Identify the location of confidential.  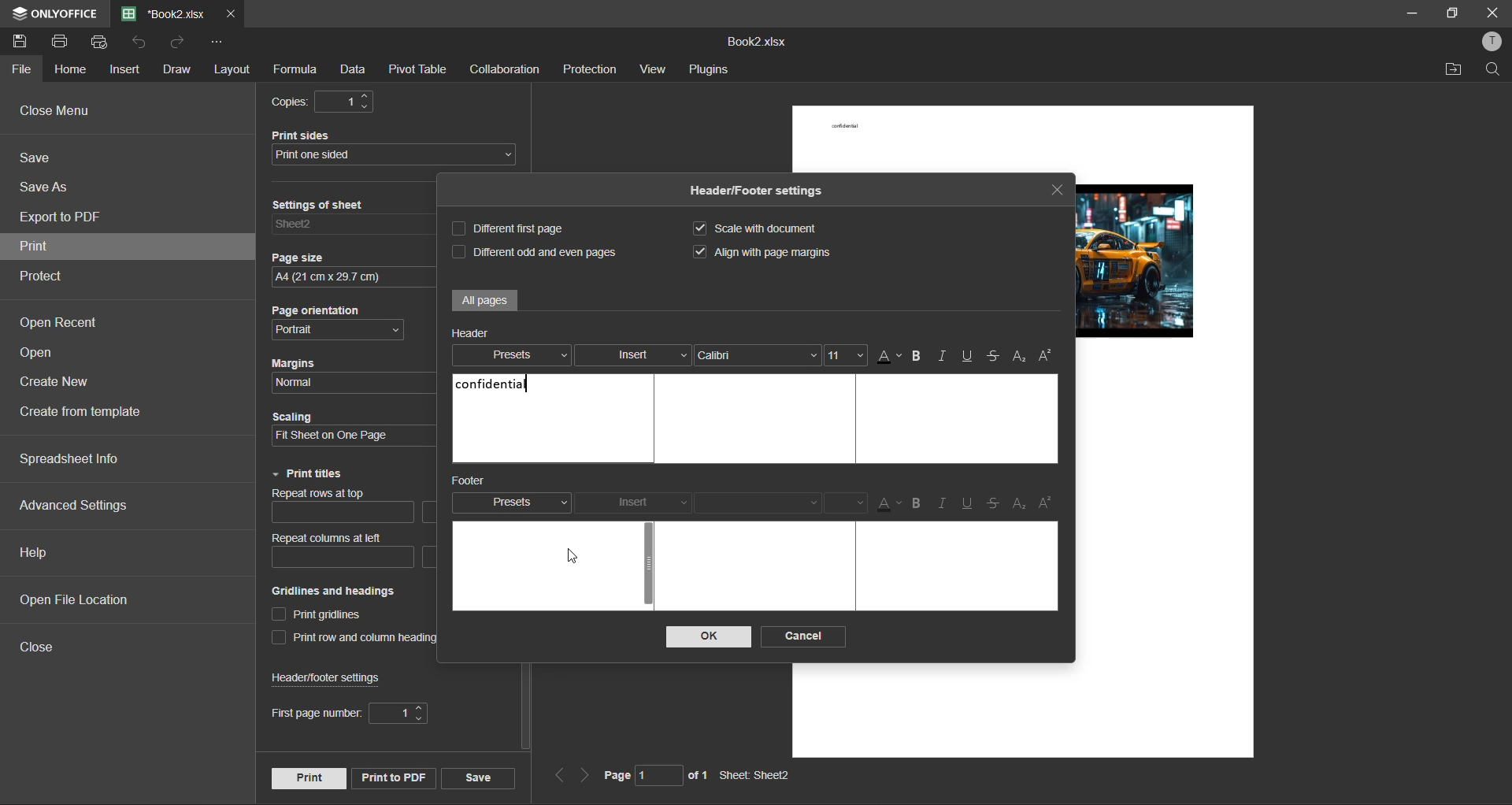
(845, 126).